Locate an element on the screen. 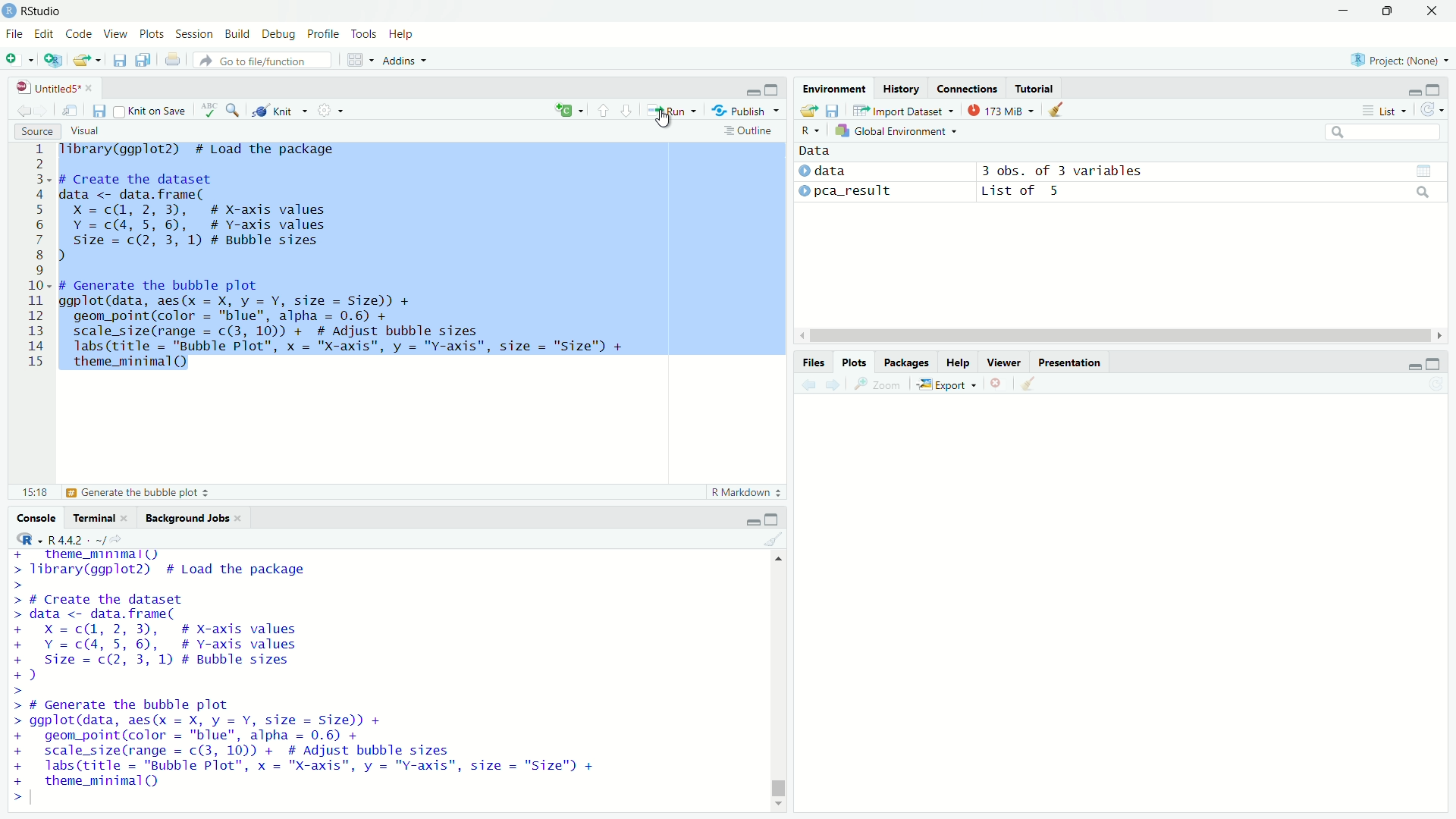 The width and height of the screenshot is (1456, 819). minimize is located at coordinates (1416, 88).